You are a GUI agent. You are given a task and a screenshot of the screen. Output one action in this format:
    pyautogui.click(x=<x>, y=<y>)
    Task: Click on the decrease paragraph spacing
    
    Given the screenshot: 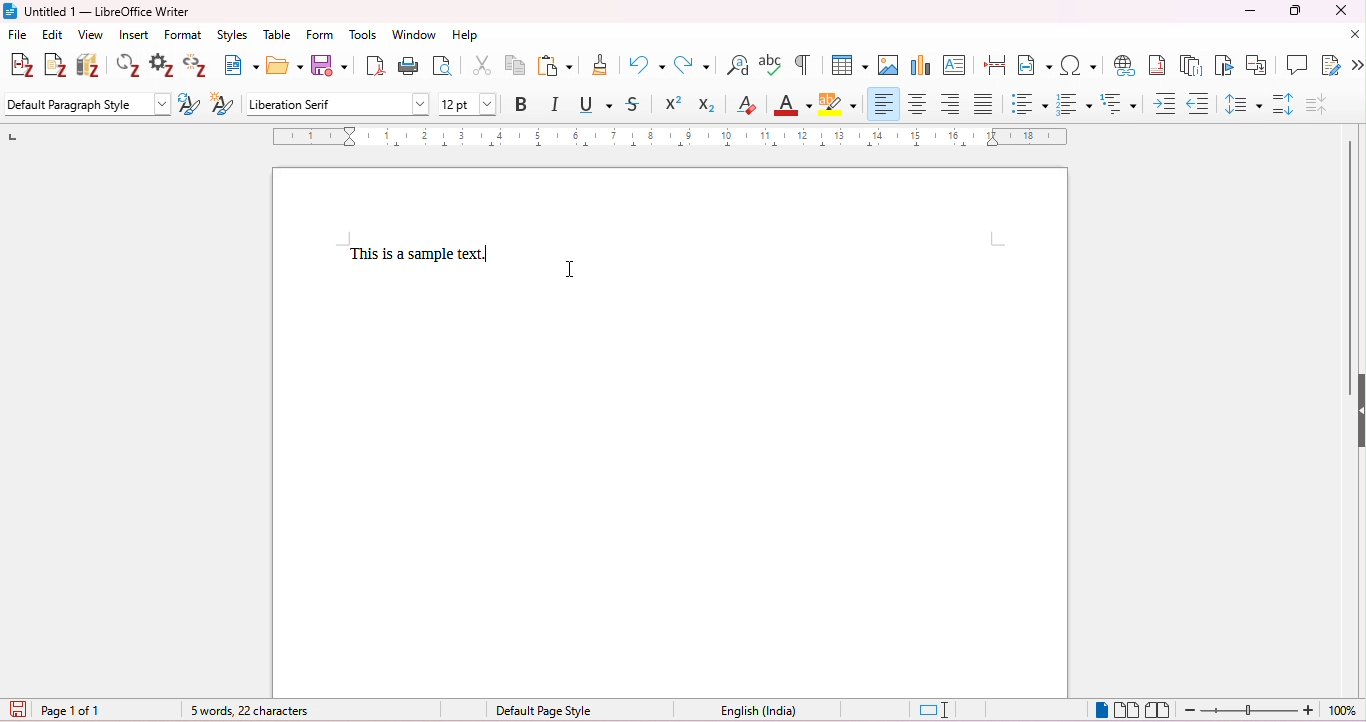 What is the action you would take?
    pyautogui.click(x=1316, y=104)
    